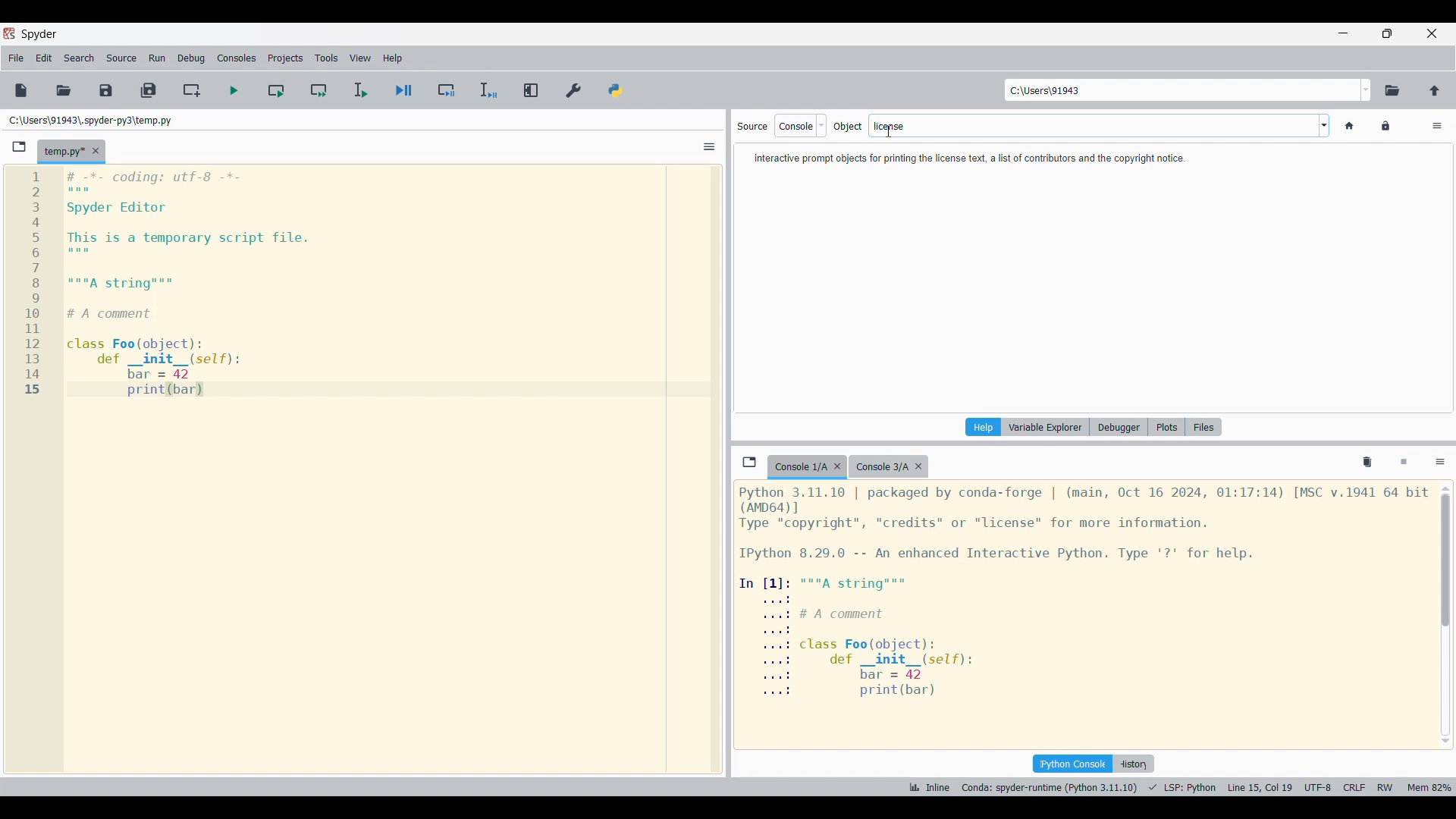  Describe the element at coordinates (20, 147) in the screenshot. I see `Browse tabs` at that location.